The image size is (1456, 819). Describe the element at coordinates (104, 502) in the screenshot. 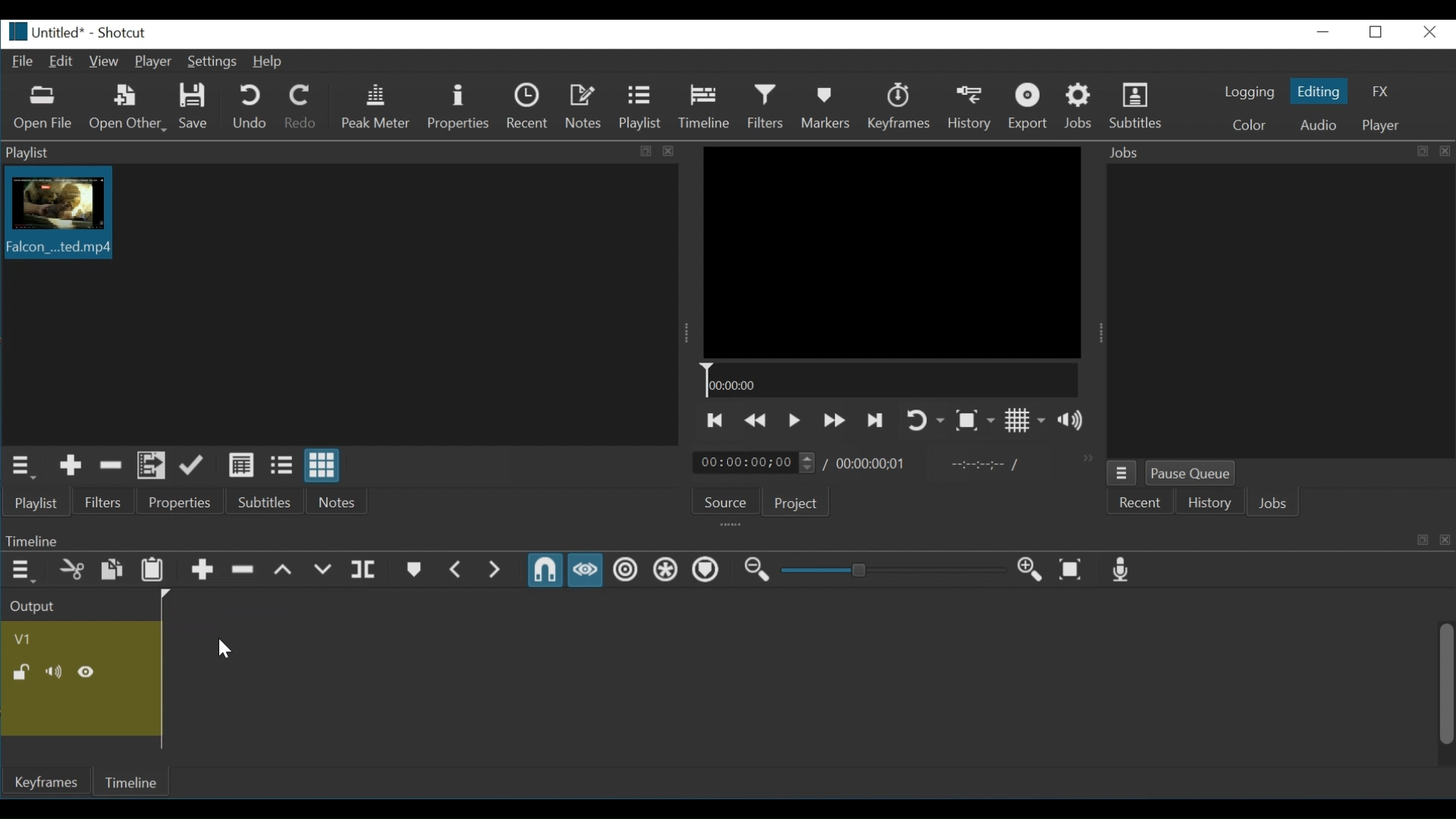

I see `Filters` at that location.